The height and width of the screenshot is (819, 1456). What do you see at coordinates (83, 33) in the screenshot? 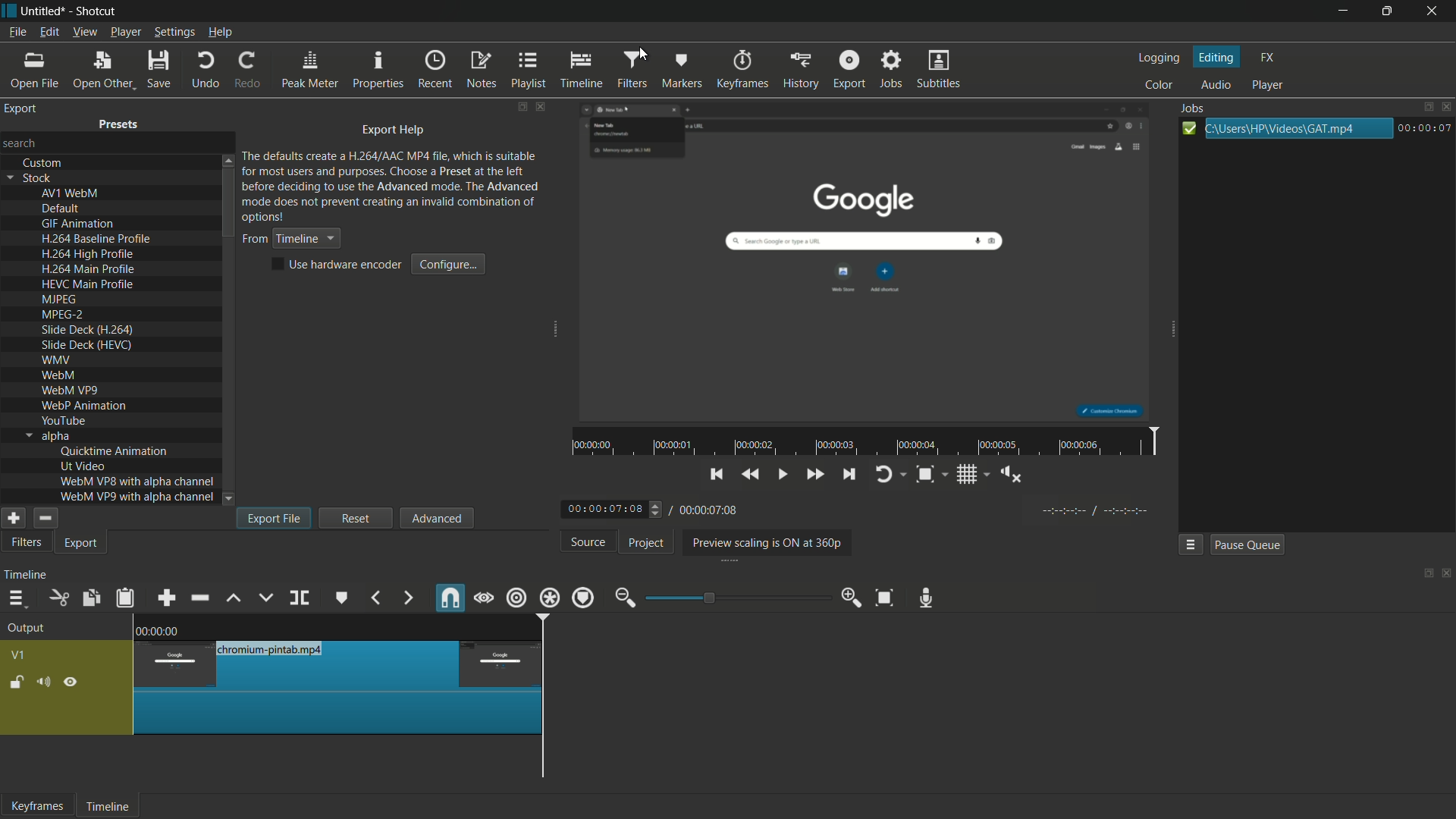
I see `view menu` at bounding box center [83, 33].